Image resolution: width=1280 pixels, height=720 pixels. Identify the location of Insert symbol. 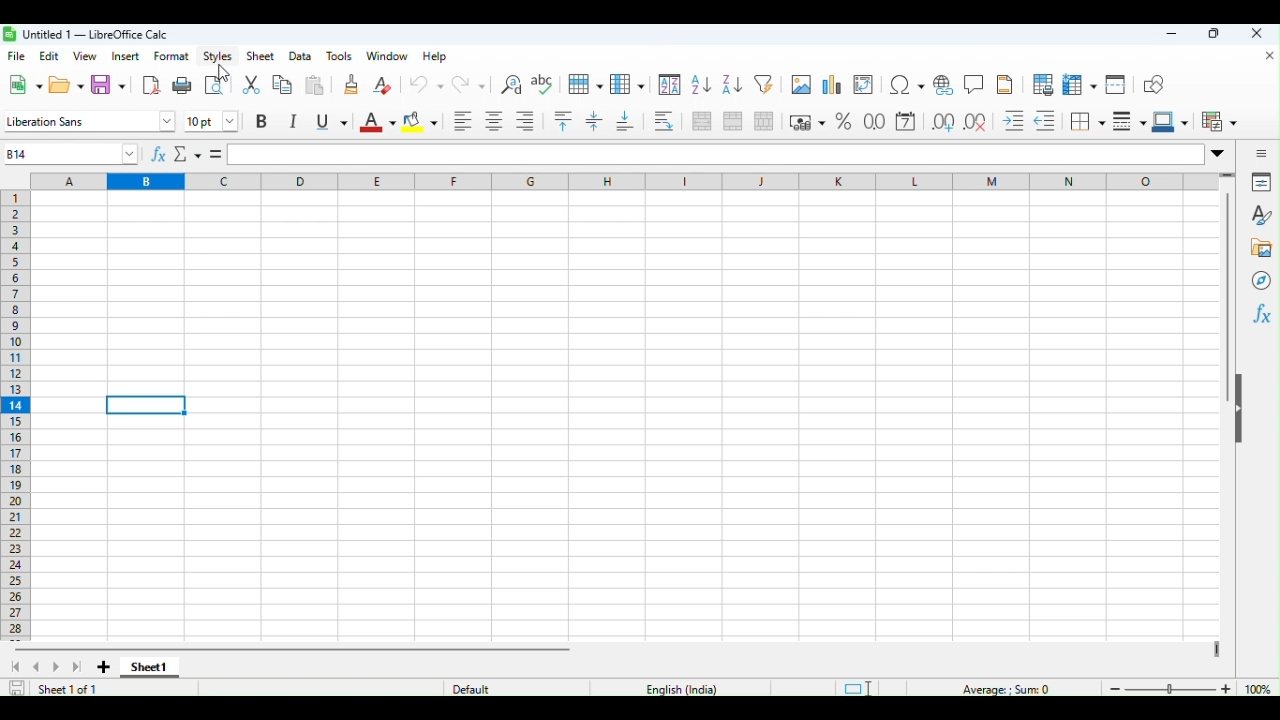
(905, 85).